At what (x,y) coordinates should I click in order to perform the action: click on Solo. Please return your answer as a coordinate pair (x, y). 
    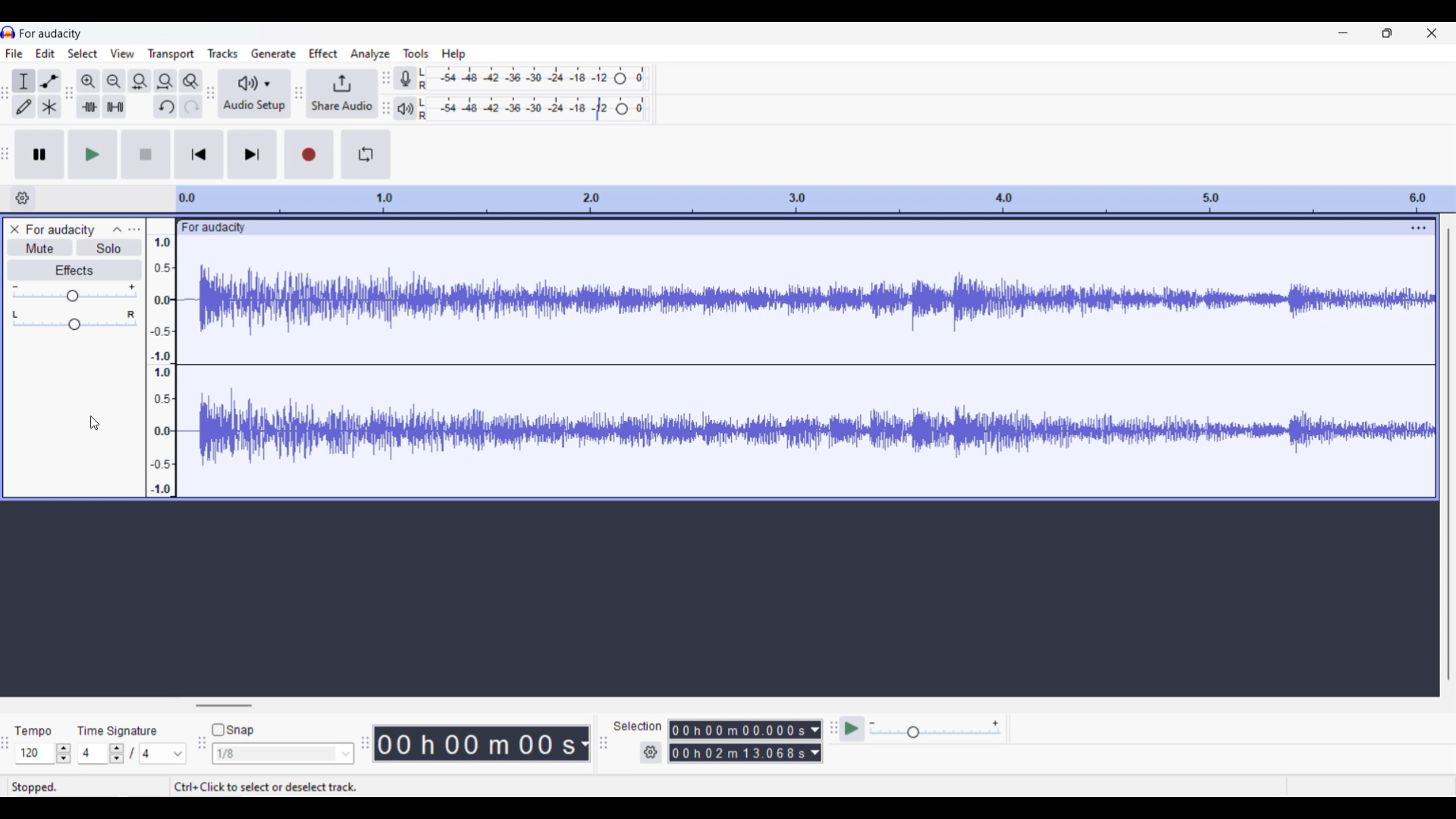
    Looking at the image, I should click on (111, 247).